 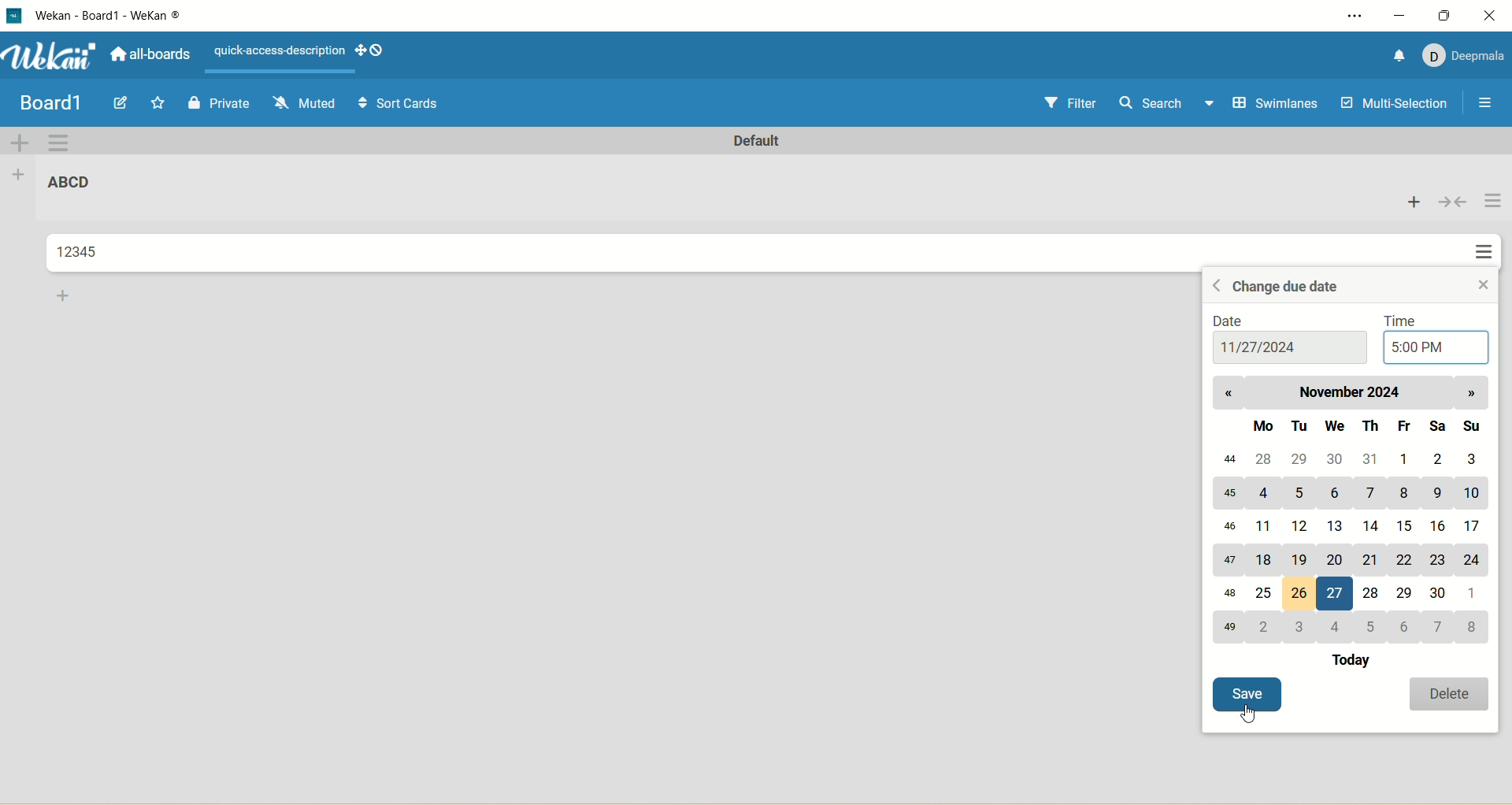 I want to click on open/close sidebar, so click(x=1488, y=106).